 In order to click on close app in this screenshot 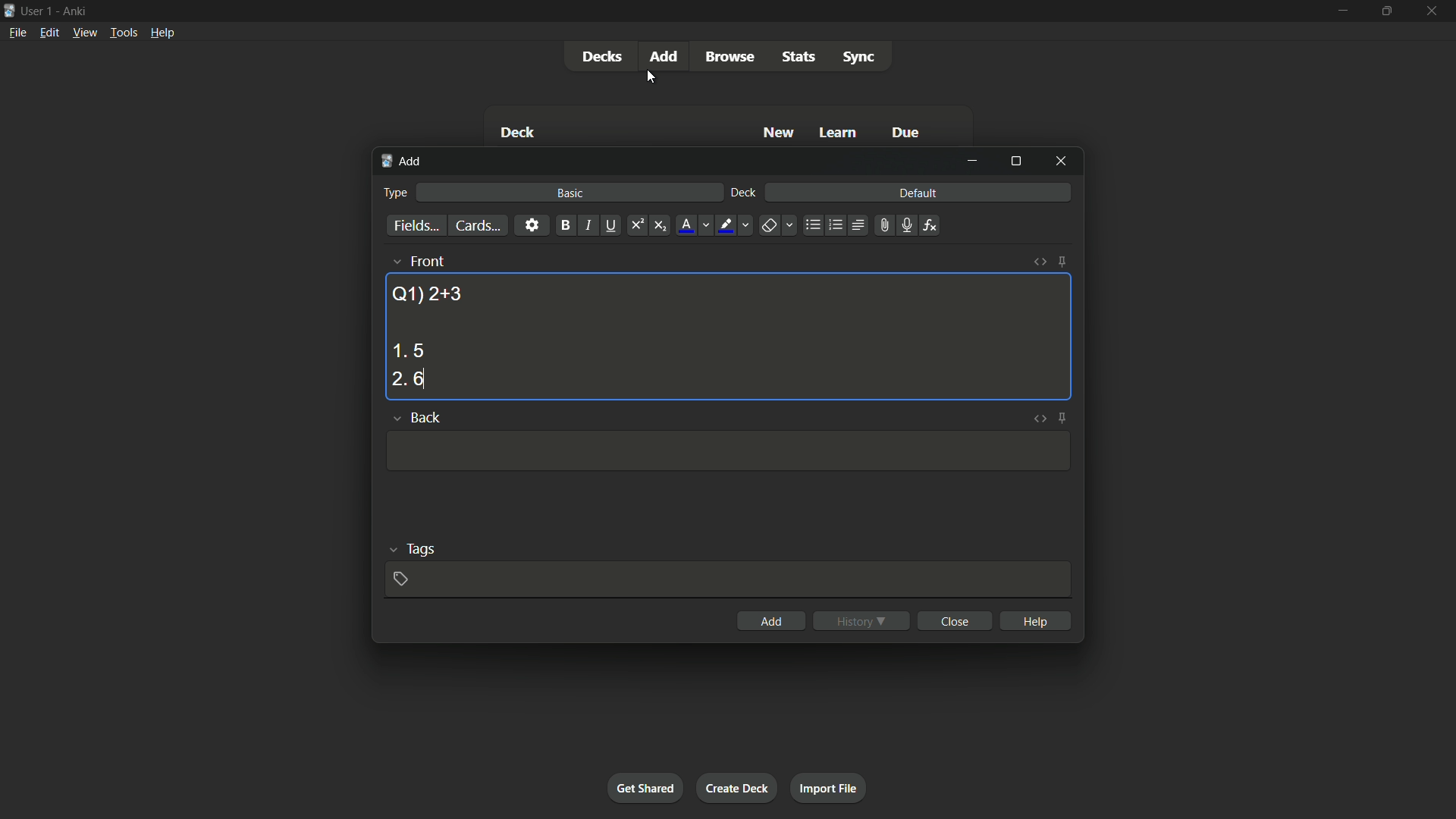, I will do `click(1433, 11)`.